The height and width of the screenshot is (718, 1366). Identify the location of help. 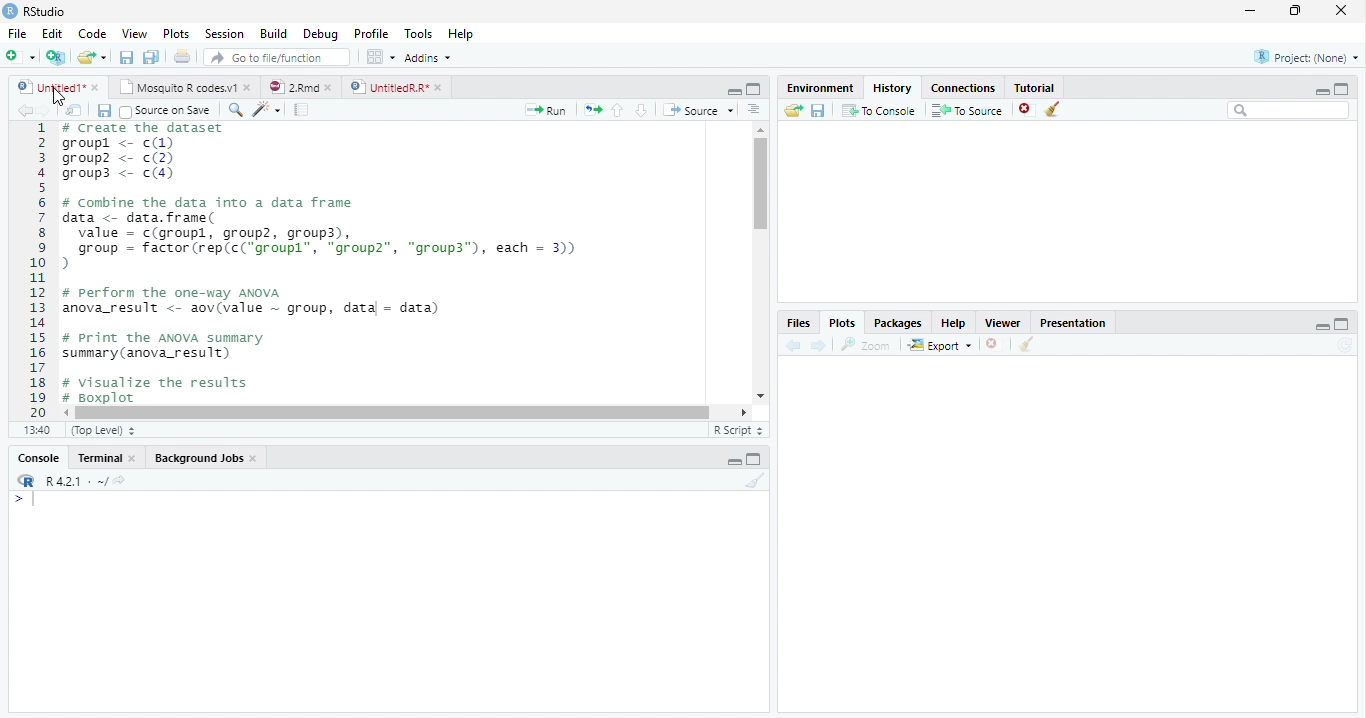
(954, 323).